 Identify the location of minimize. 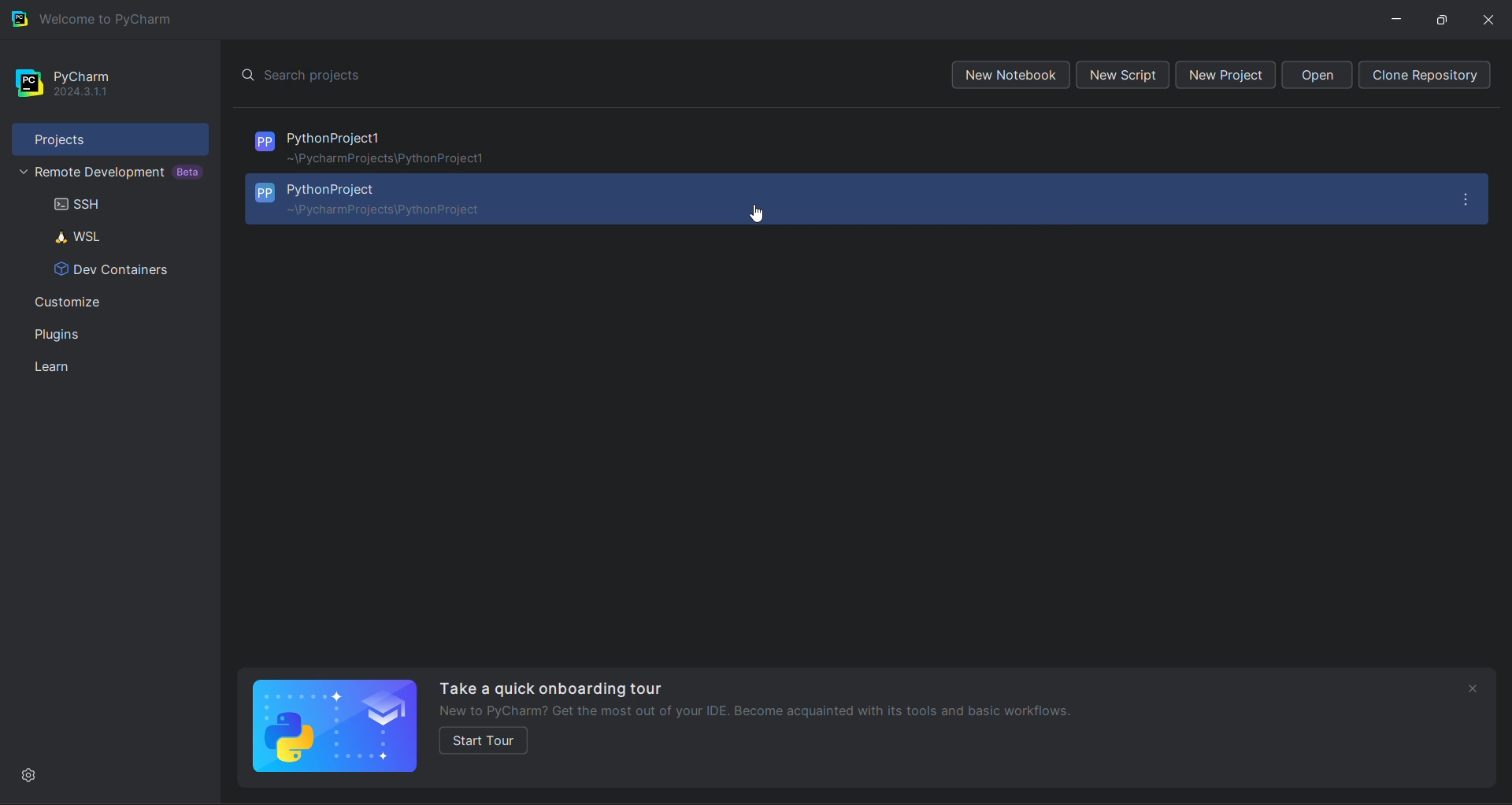
(1399, 19).